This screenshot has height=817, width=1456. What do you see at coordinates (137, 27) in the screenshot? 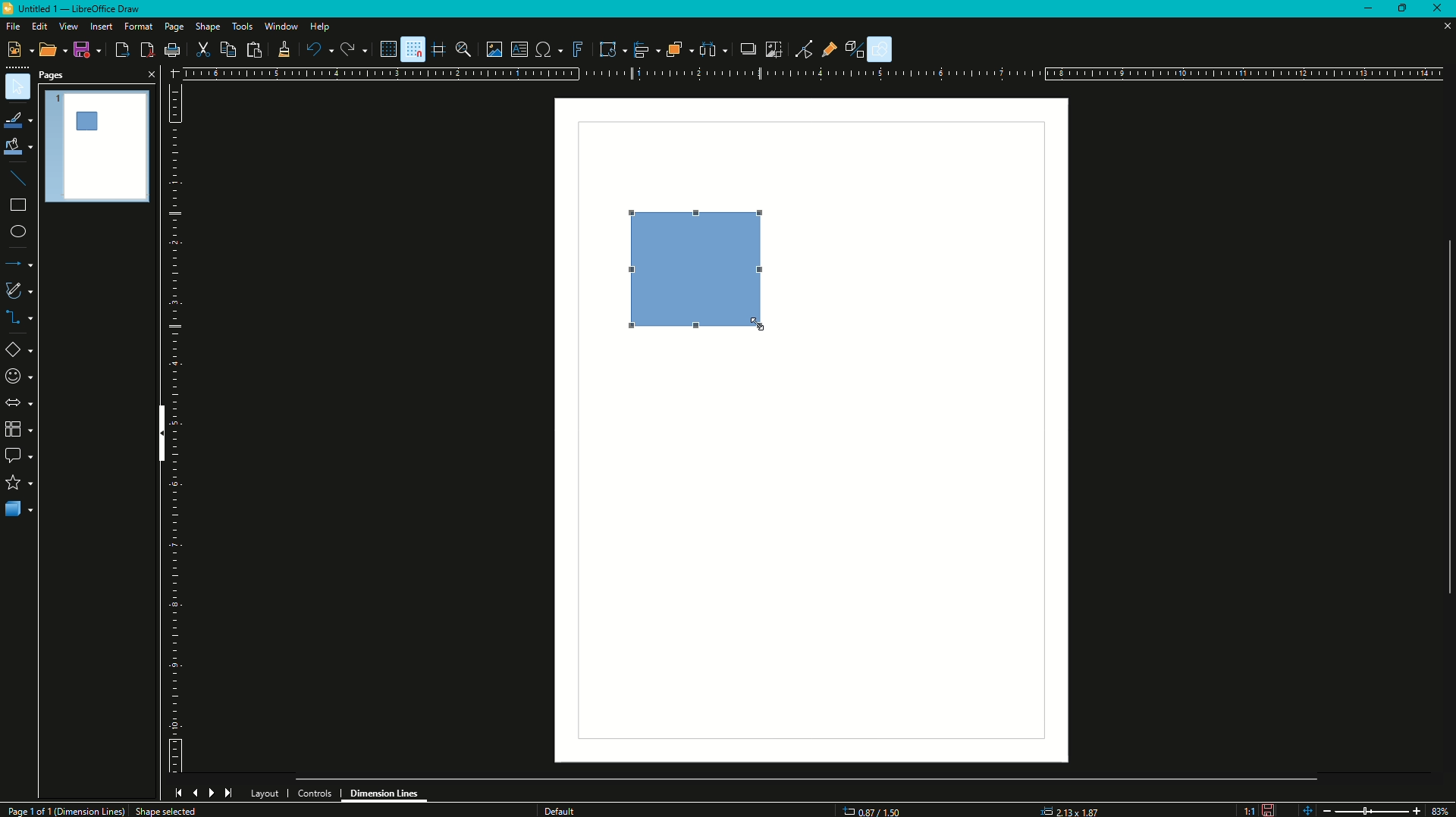
I see `Format` at bounding box center [137, 27].